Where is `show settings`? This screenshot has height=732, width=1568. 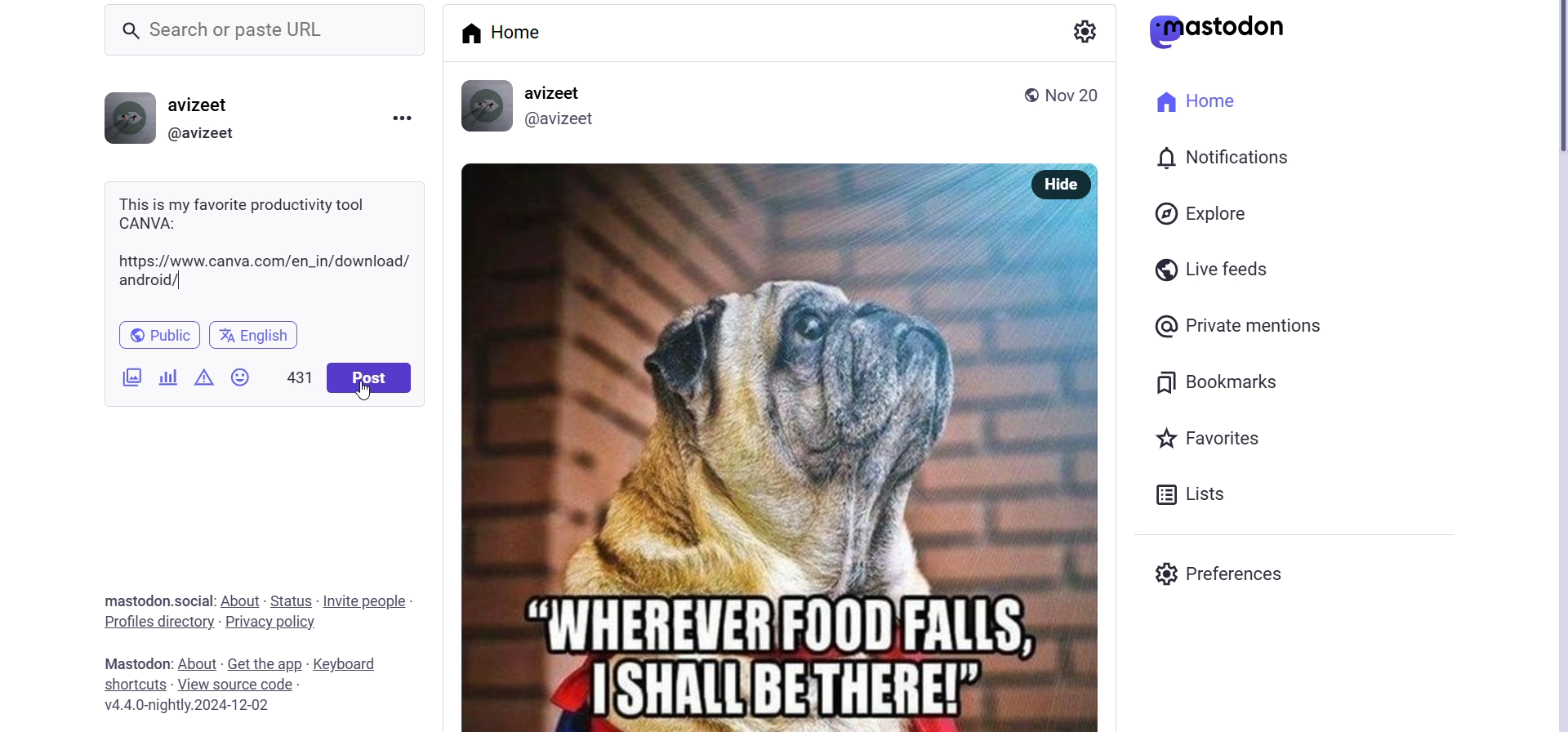
show settings is located at coordinates (1088, 32).